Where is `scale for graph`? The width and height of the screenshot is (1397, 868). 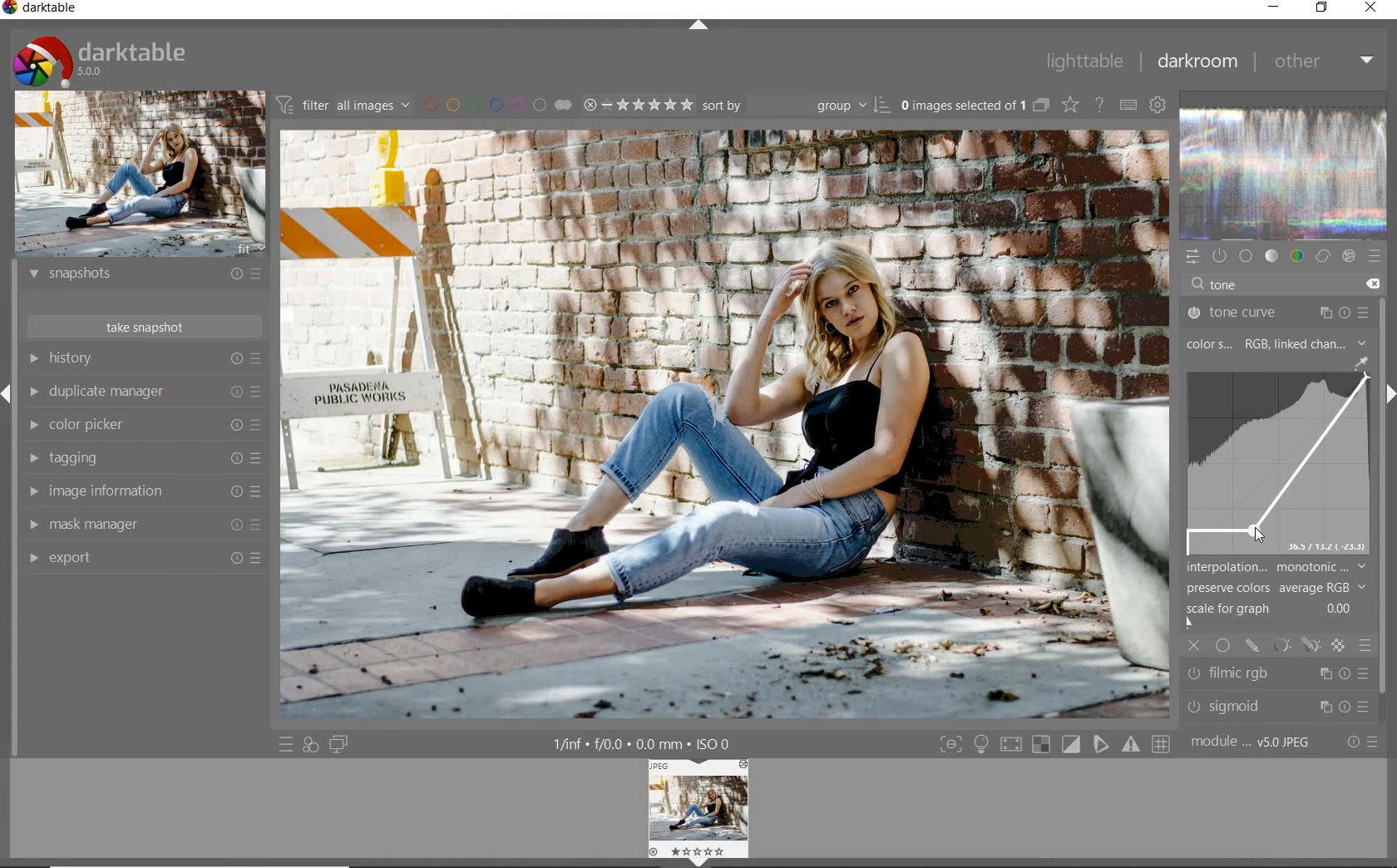 scale for graph is located at coordinates (1269, 614).